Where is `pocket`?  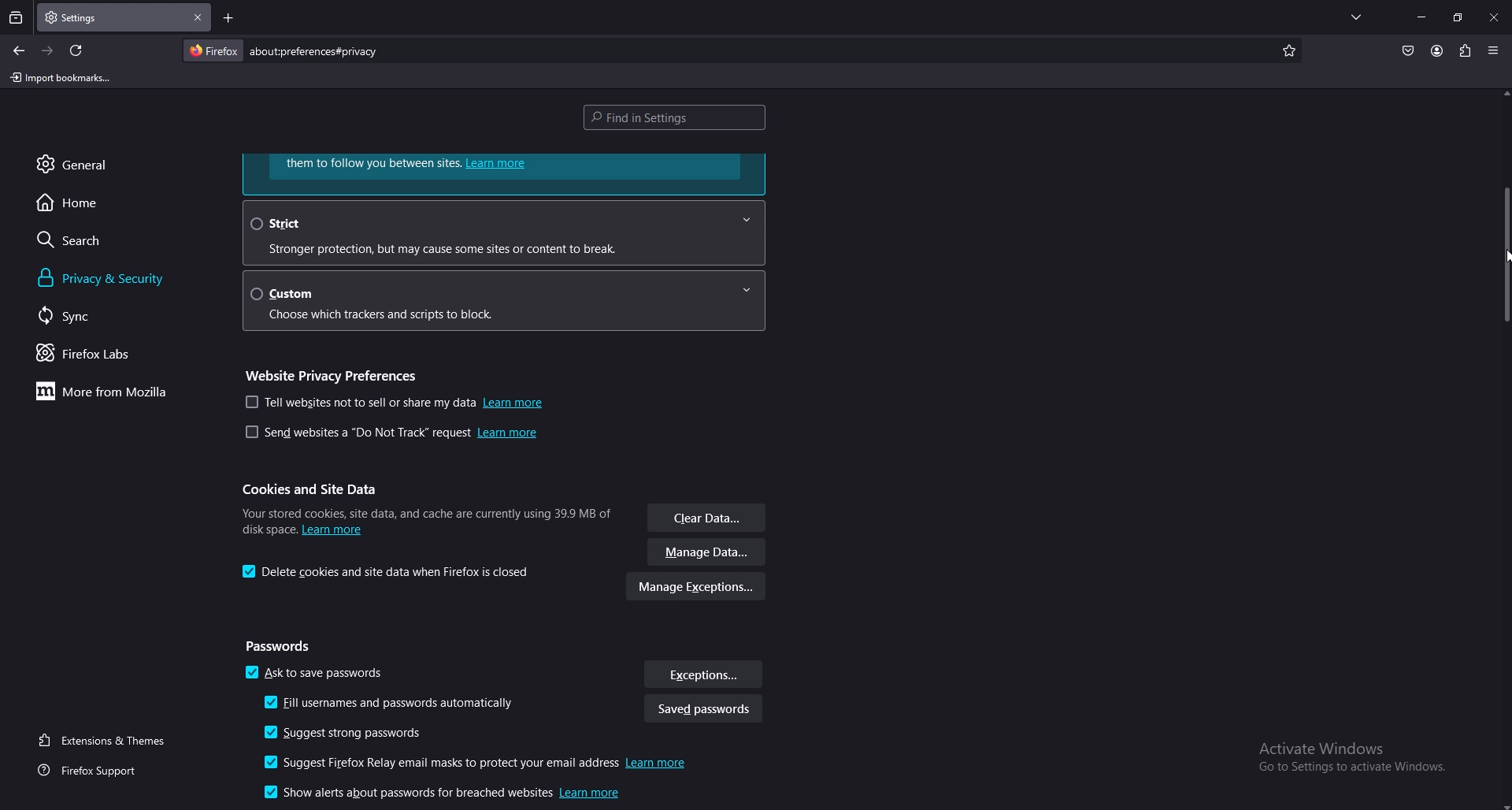
pocket is located at coordinates (1407, 50).